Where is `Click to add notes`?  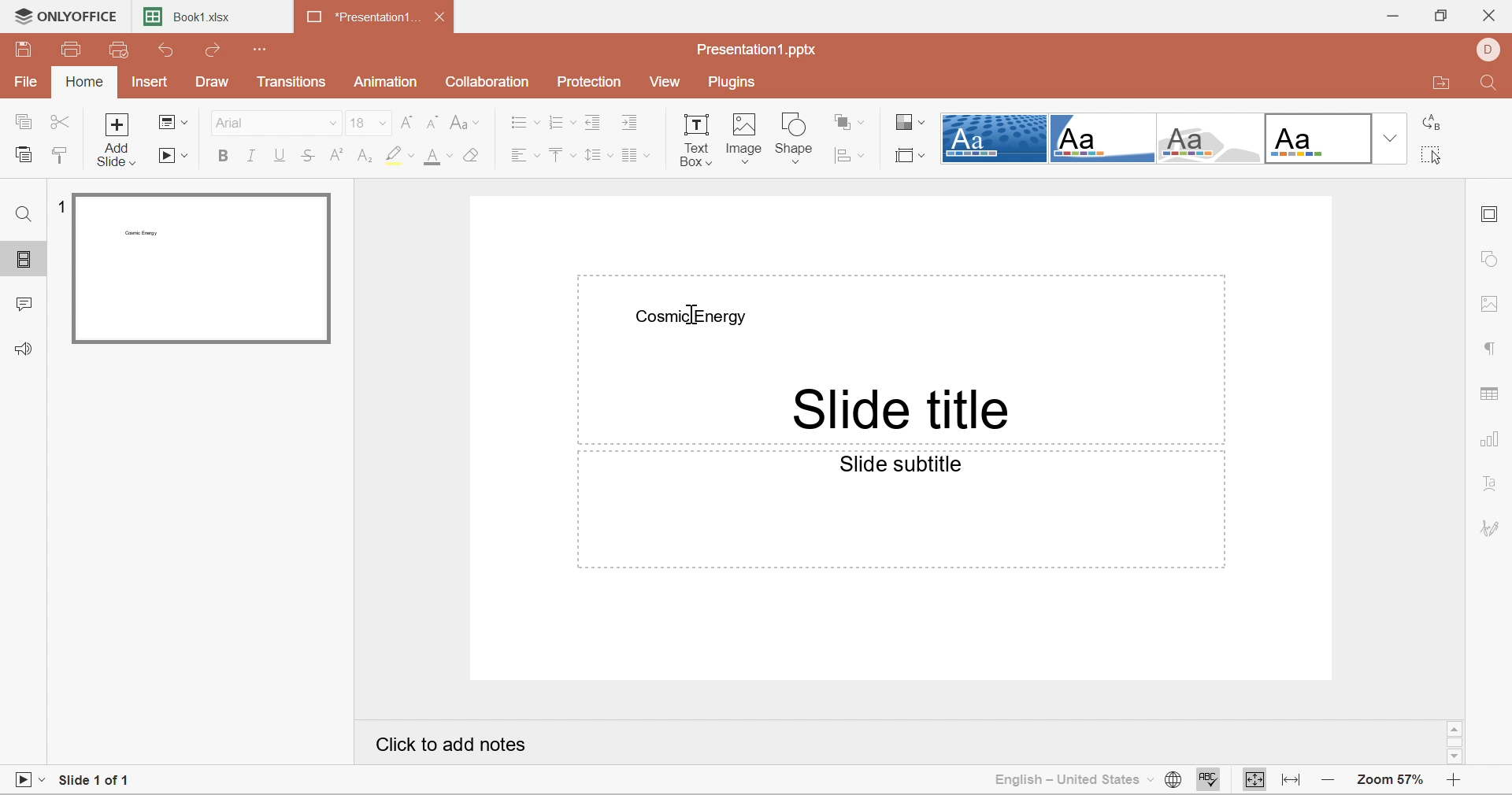 Click to add notes is located at coordinates (452, 748).